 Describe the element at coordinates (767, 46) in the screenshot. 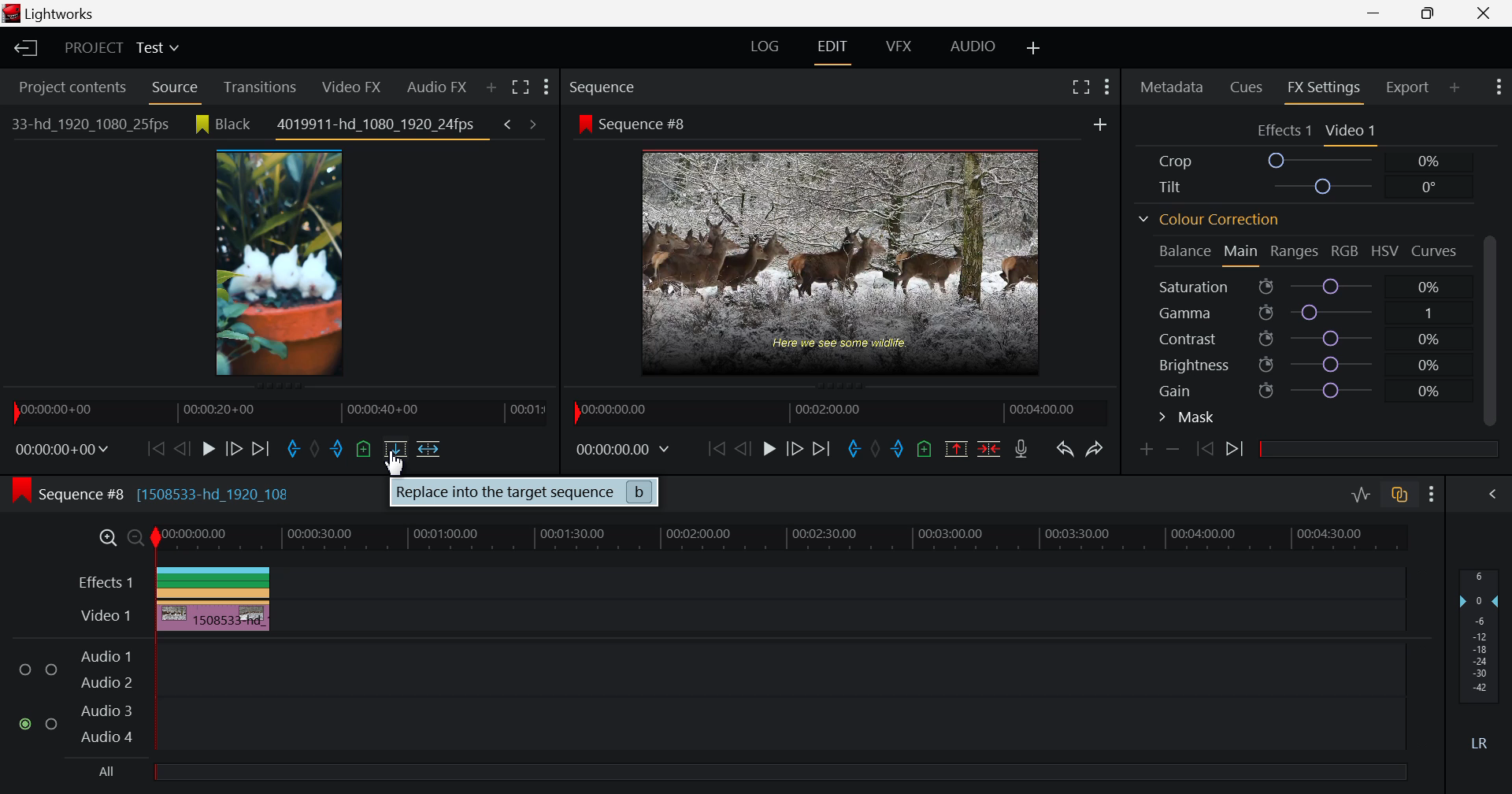

I see `LOG Layout` at that location.